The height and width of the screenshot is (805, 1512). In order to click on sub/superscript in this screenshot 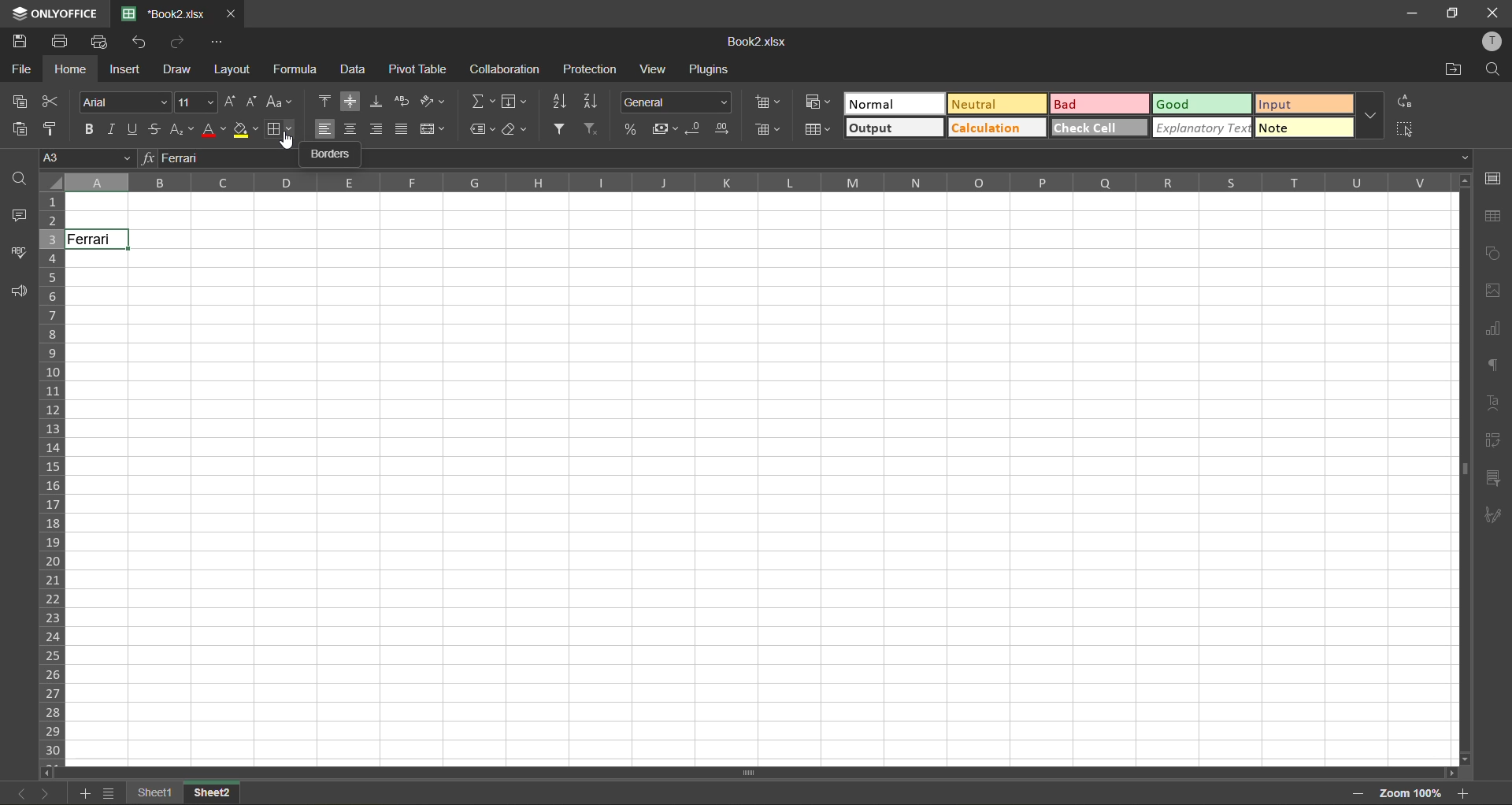, I will do `click(182, 131)`.